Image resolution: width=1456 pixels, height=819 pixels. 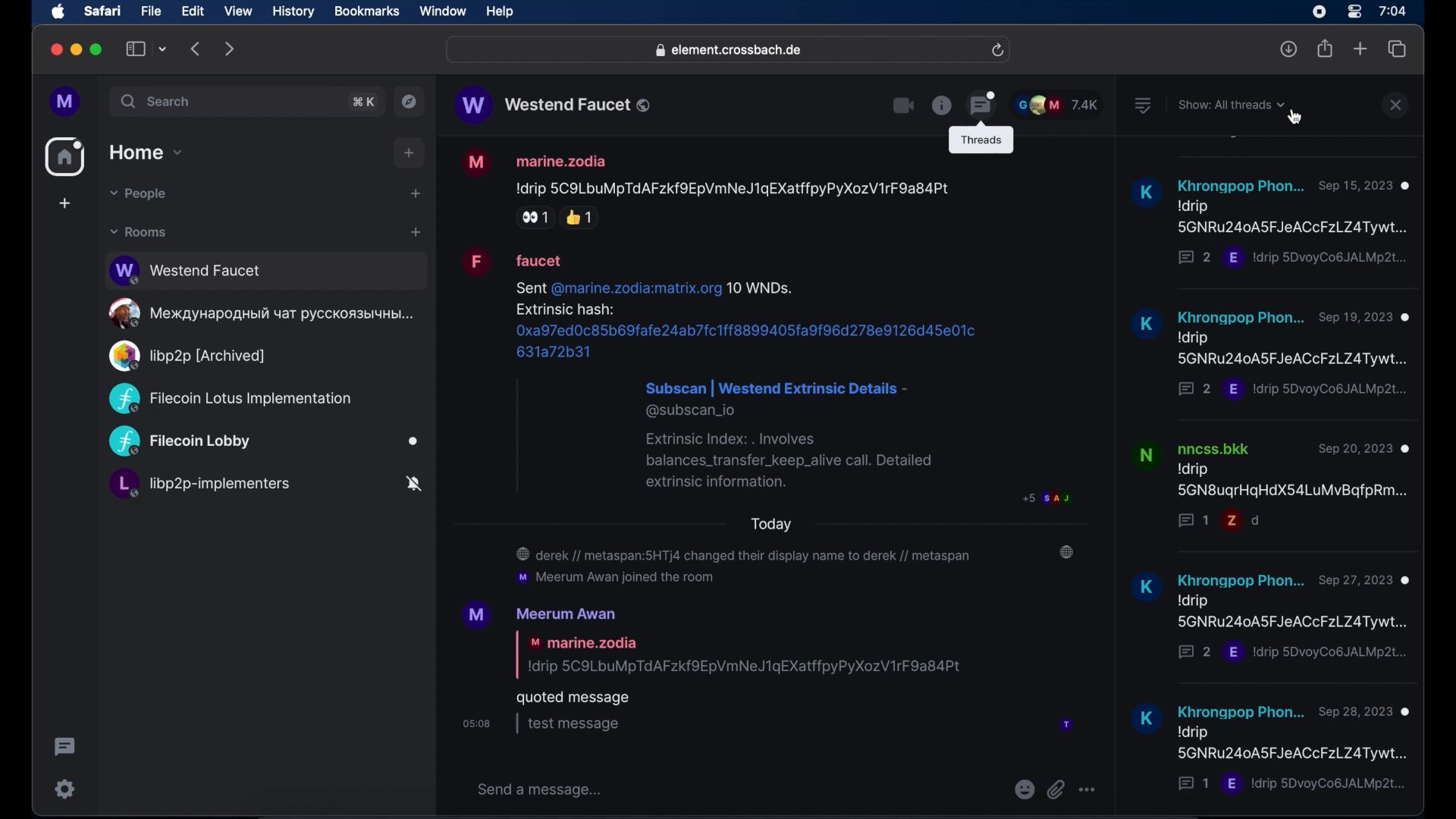 What do you see at coordinates (66, 157) in the screenshot?
I see `home` at bounding box center [66, 157].